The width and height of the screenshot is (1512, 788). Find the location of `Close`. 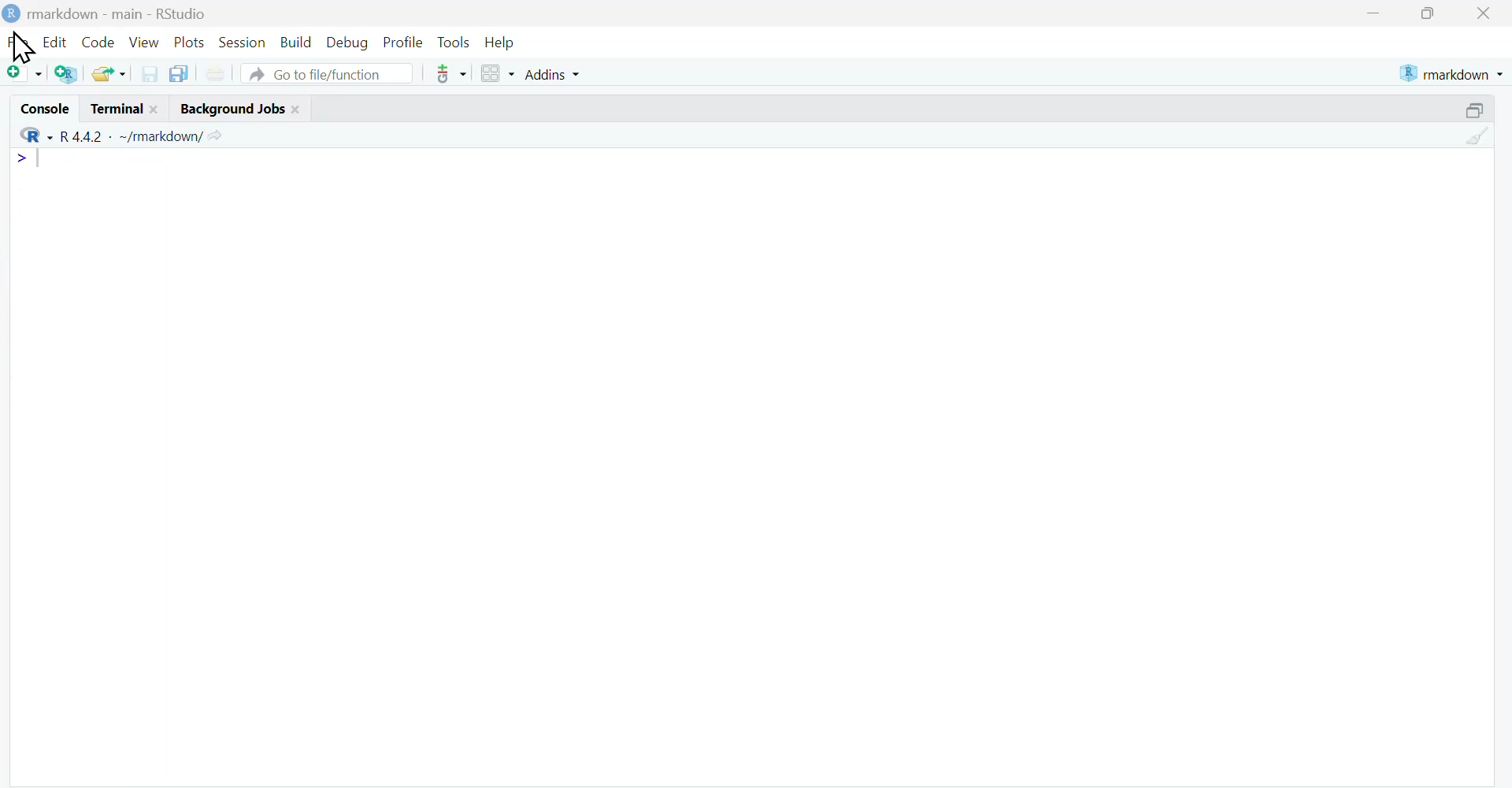

Close is located at coordinates (1485, 13).